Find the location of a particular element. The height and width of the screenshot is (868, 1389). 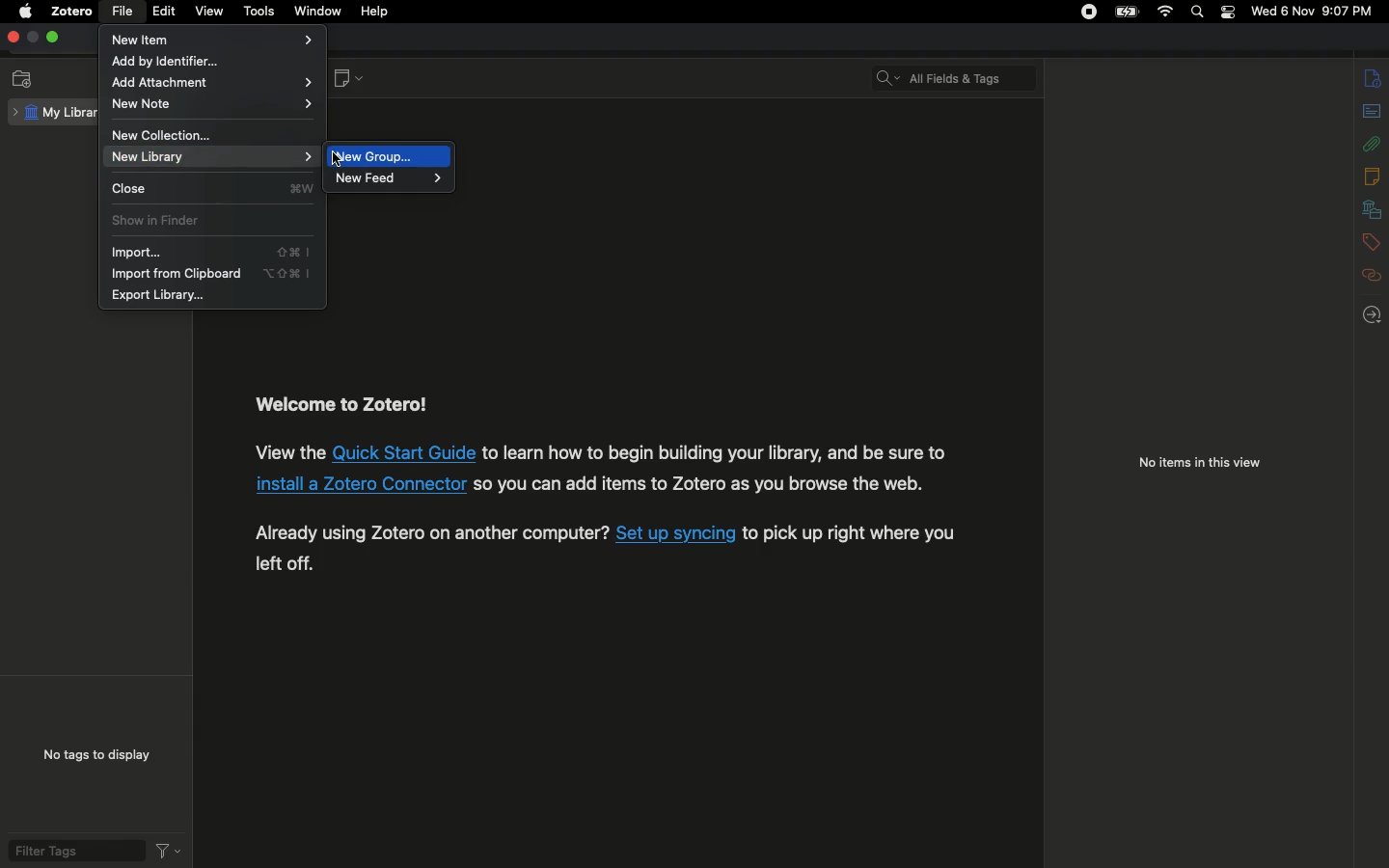

My library is located at coordinates (55, 112).